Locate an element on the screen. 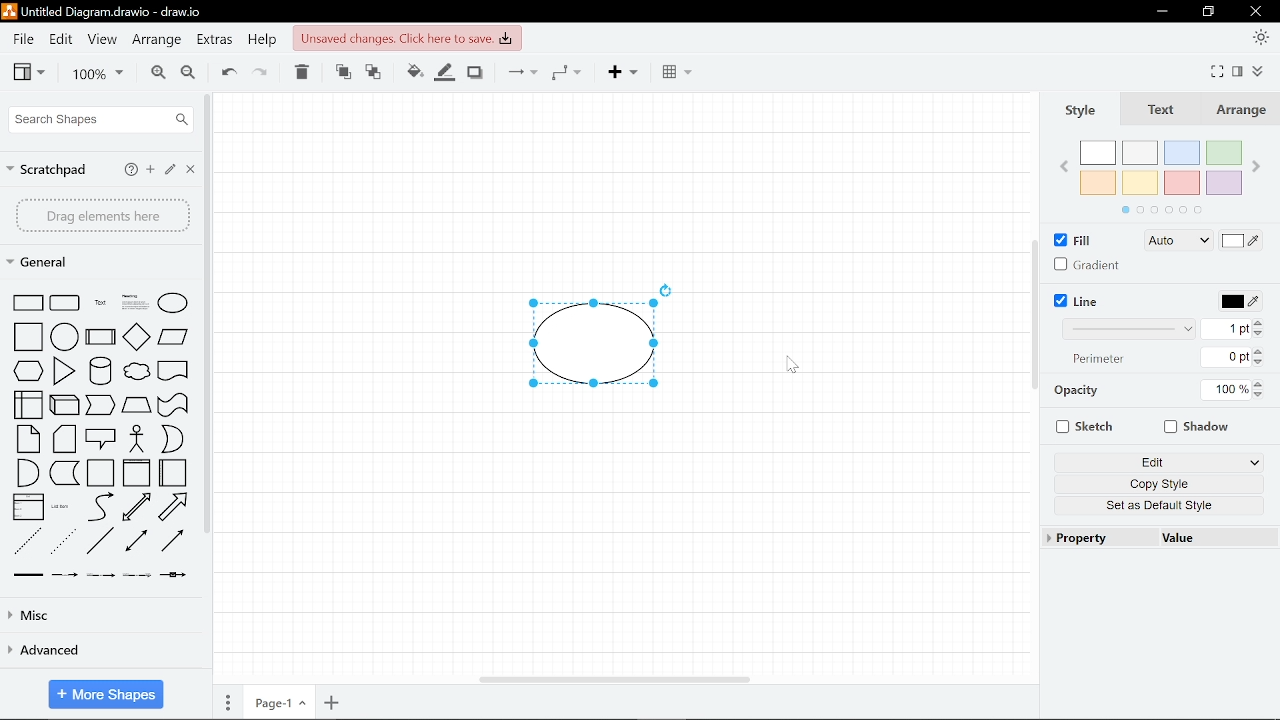 The width and height of the screenshot is (1280, 720). Shadow is located at coordinates (1192, 425).